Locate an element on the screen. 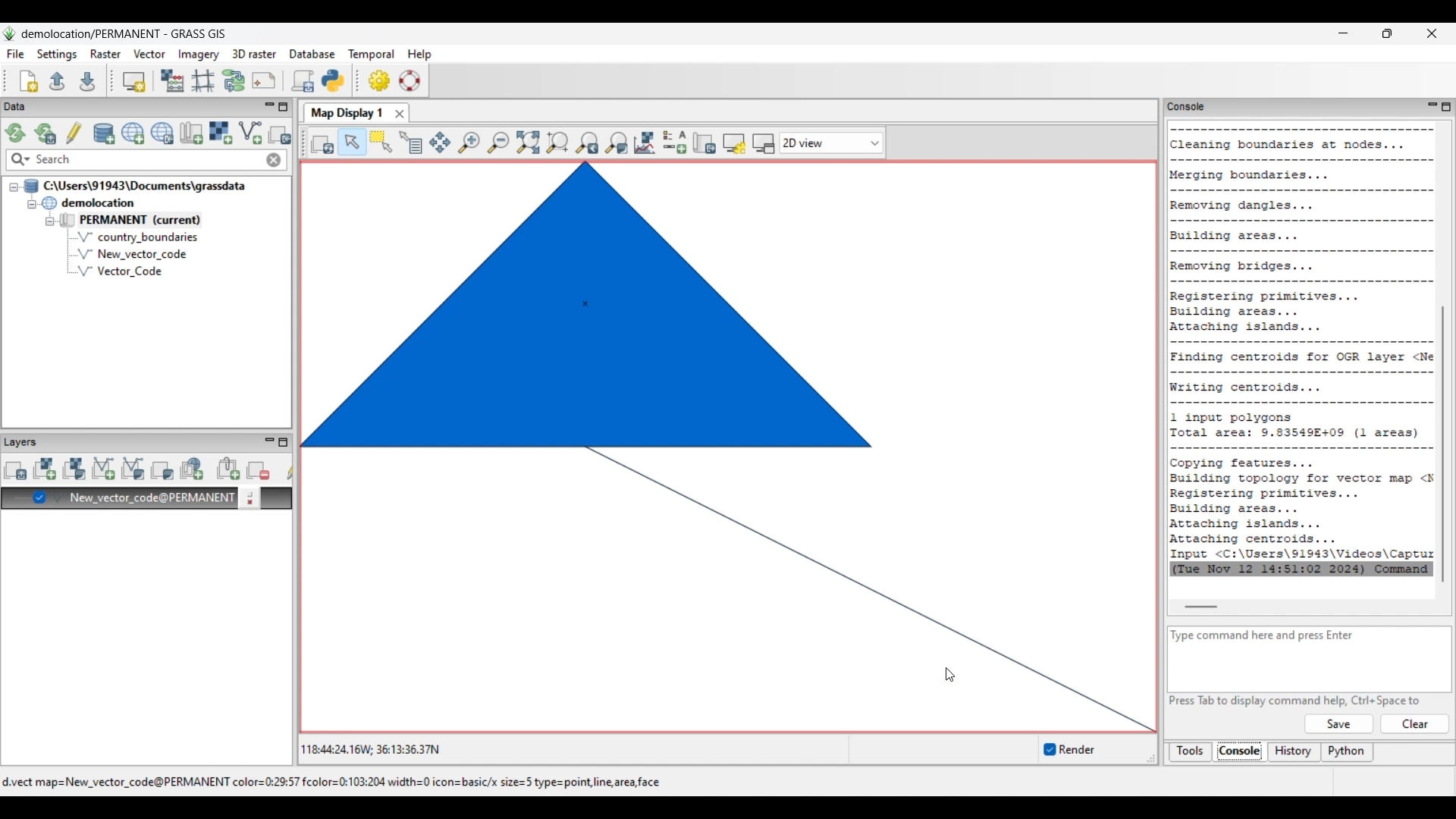 The width and height of the screenshot is (1456, 819). Map Display 1 tab is located at coordinates (345, 111).